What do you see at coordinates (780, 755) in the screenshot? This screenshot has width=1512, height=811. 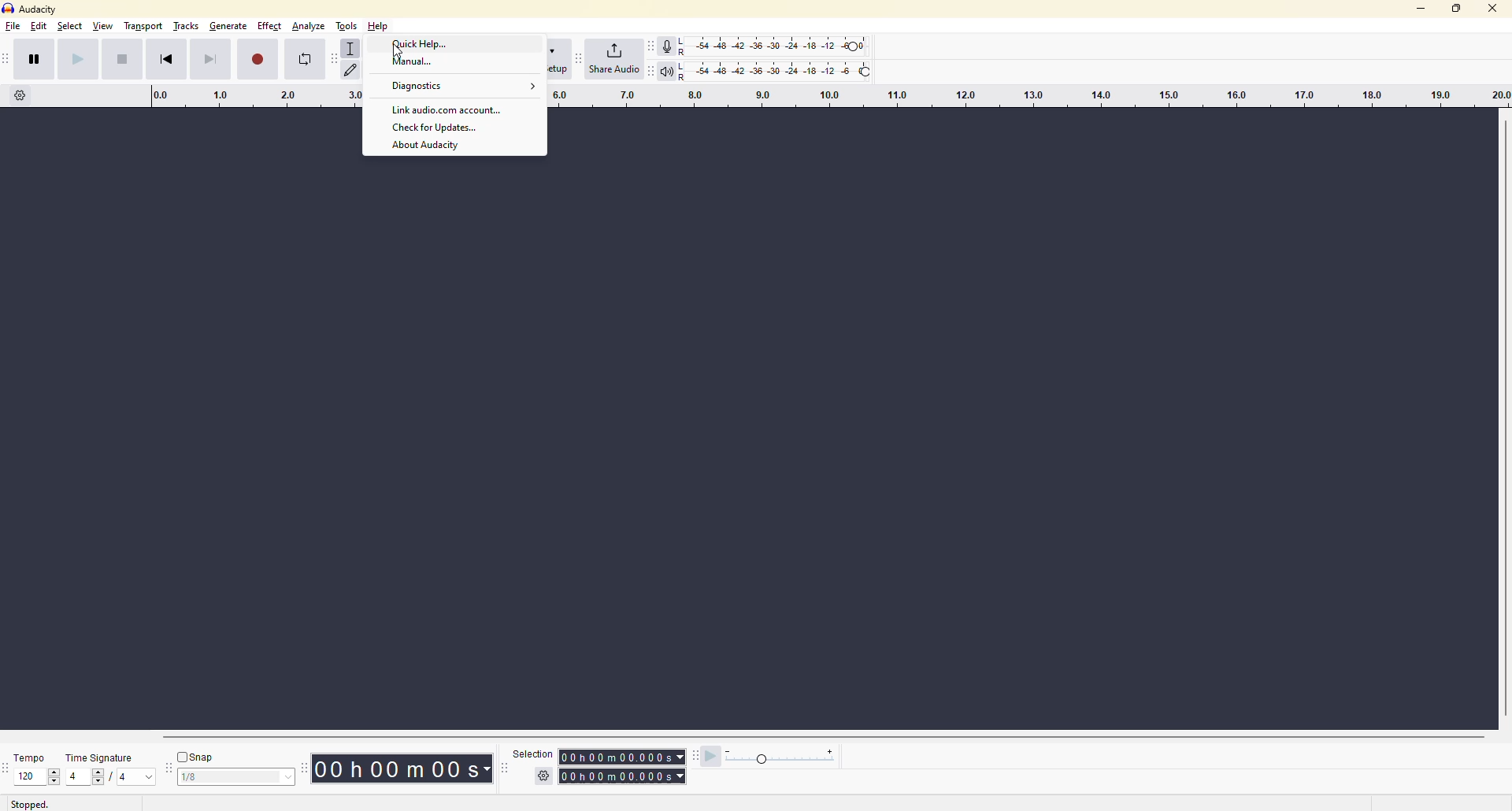 I see `playback speed` at bounding box center [780, 755].